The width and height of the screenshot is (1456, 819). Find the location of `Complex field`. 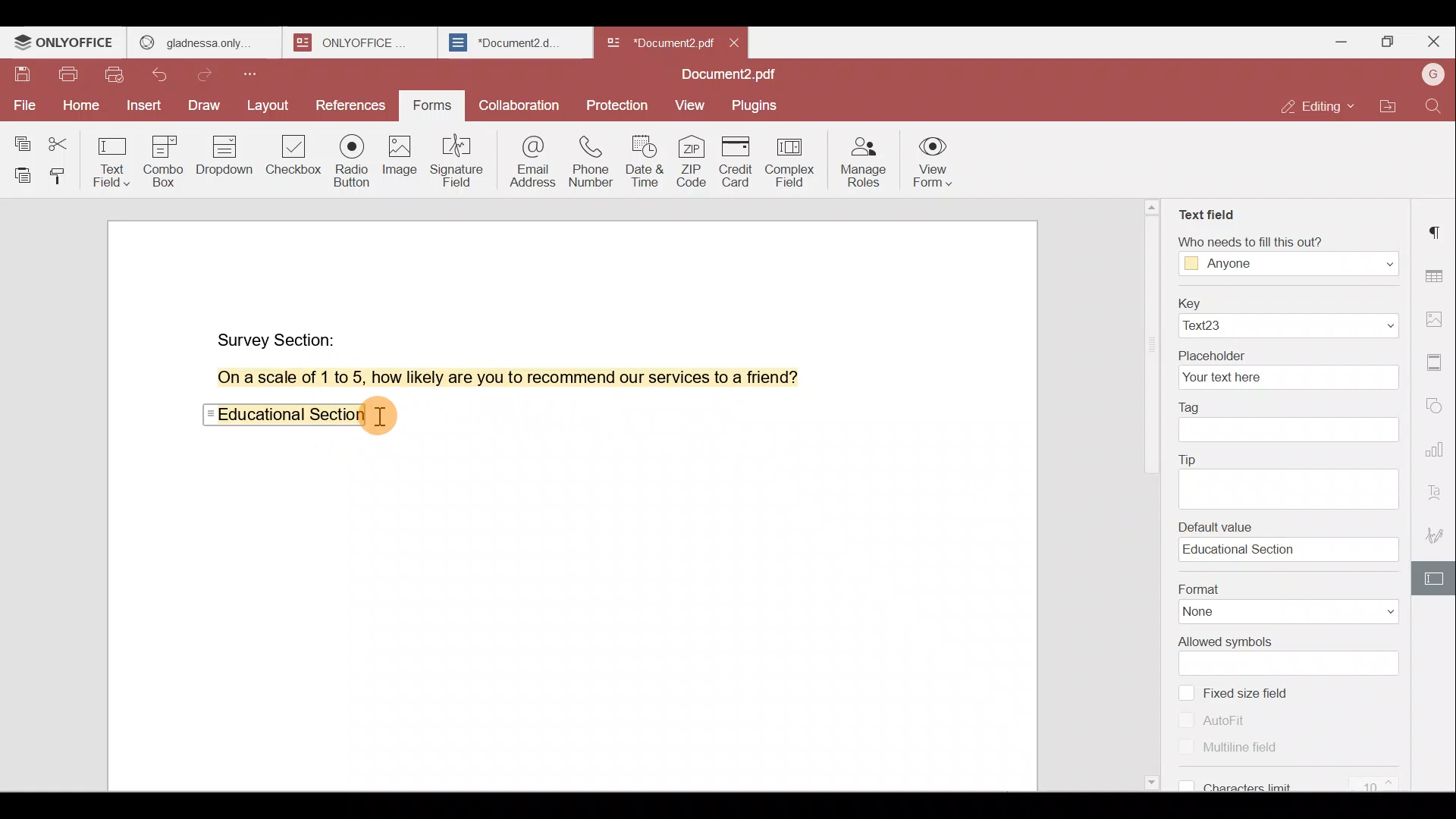

Complex field is located at coordinates (794, 163).